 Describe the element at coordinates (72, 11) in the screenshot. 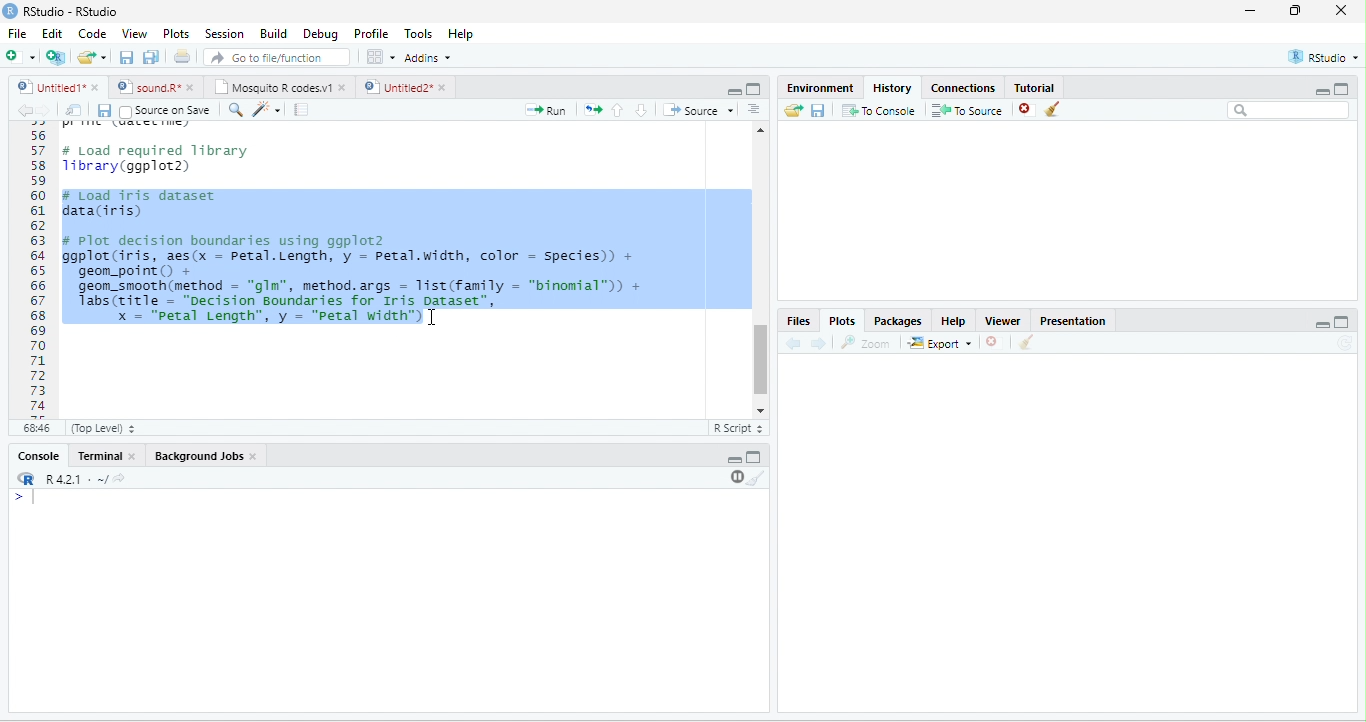

I see `RStudio-RStudio` at that location.